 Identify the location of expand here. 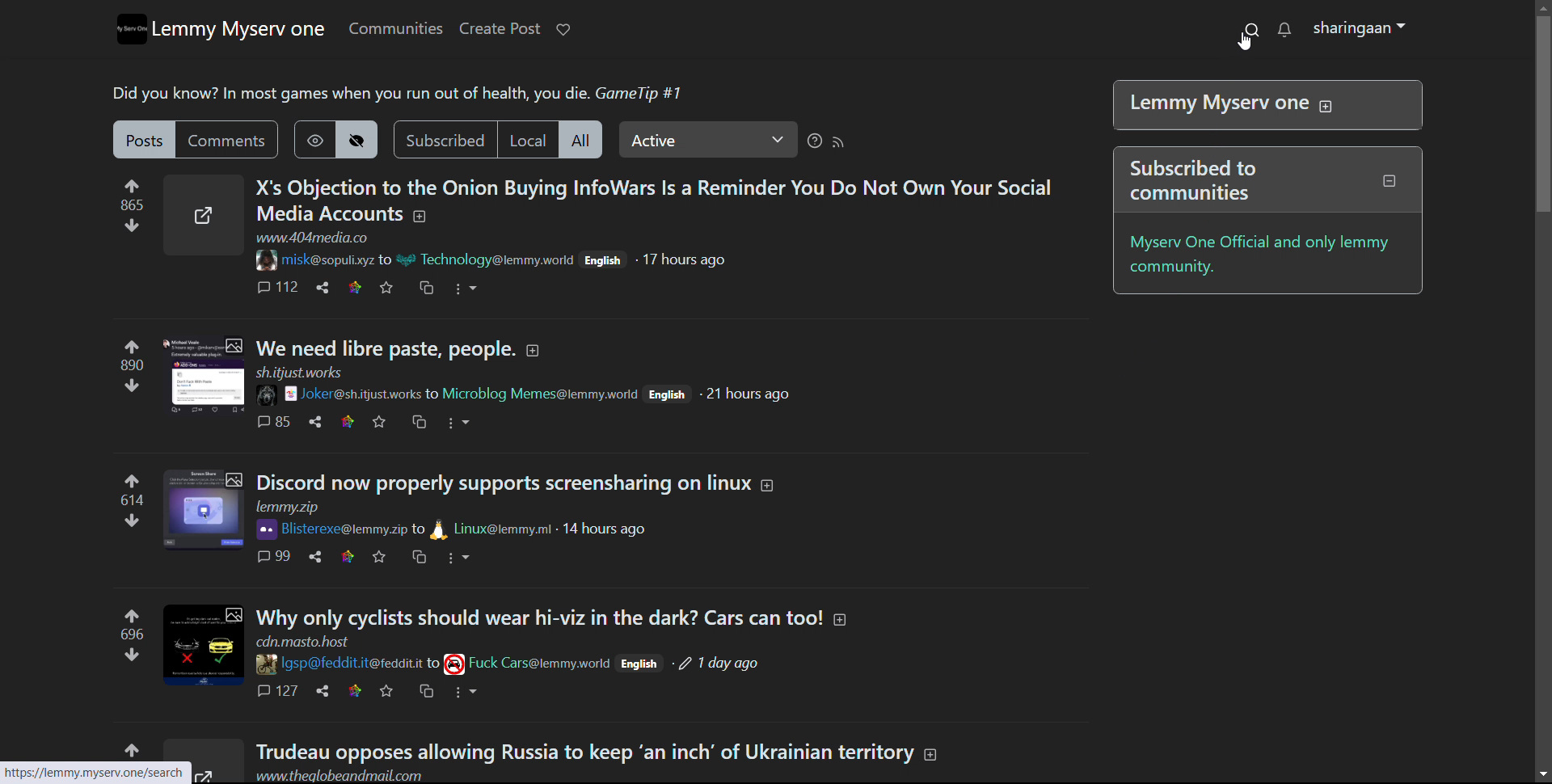
(203, 214).